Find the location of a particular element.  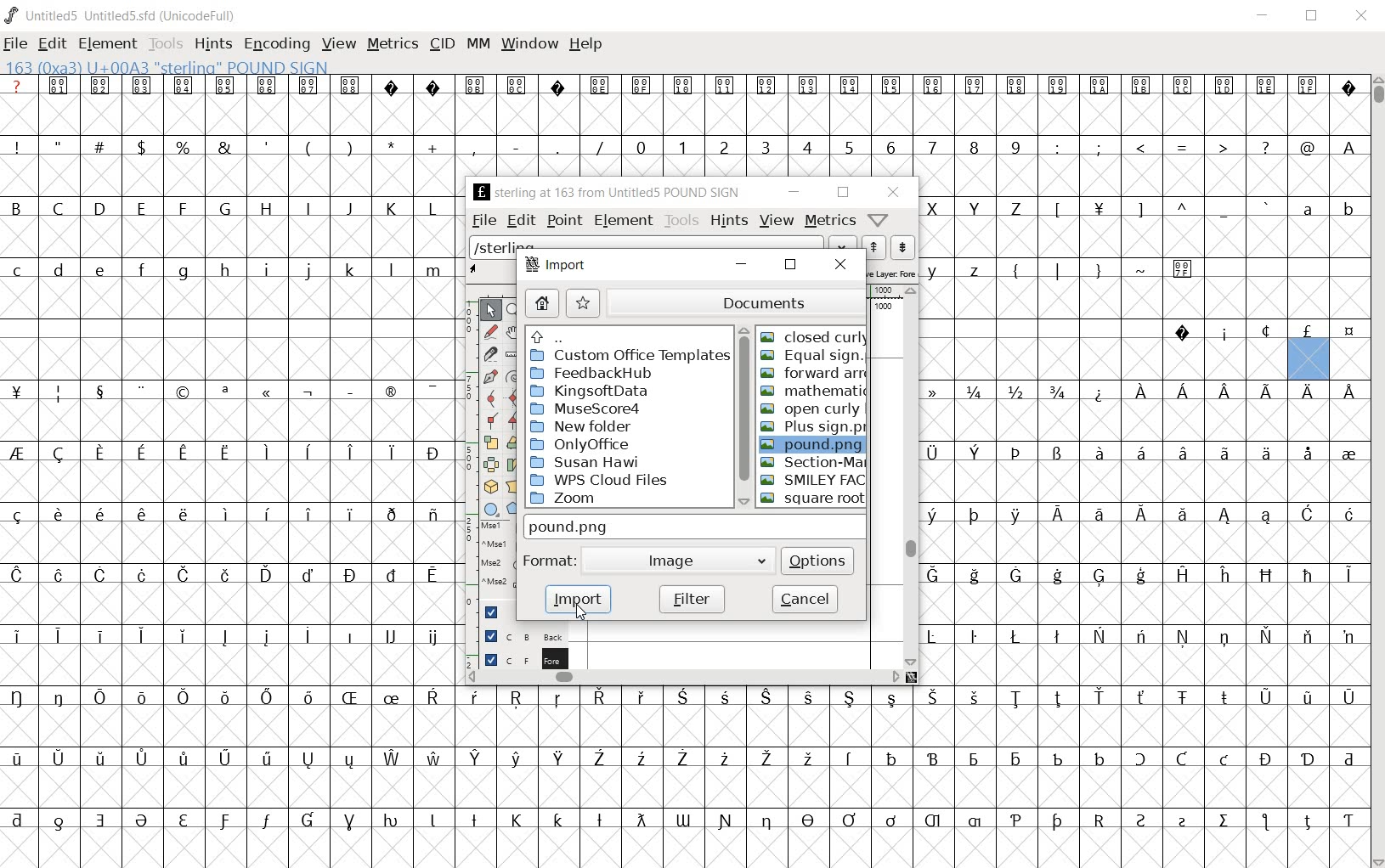

Symbol is located at coordinates (1307, 453).